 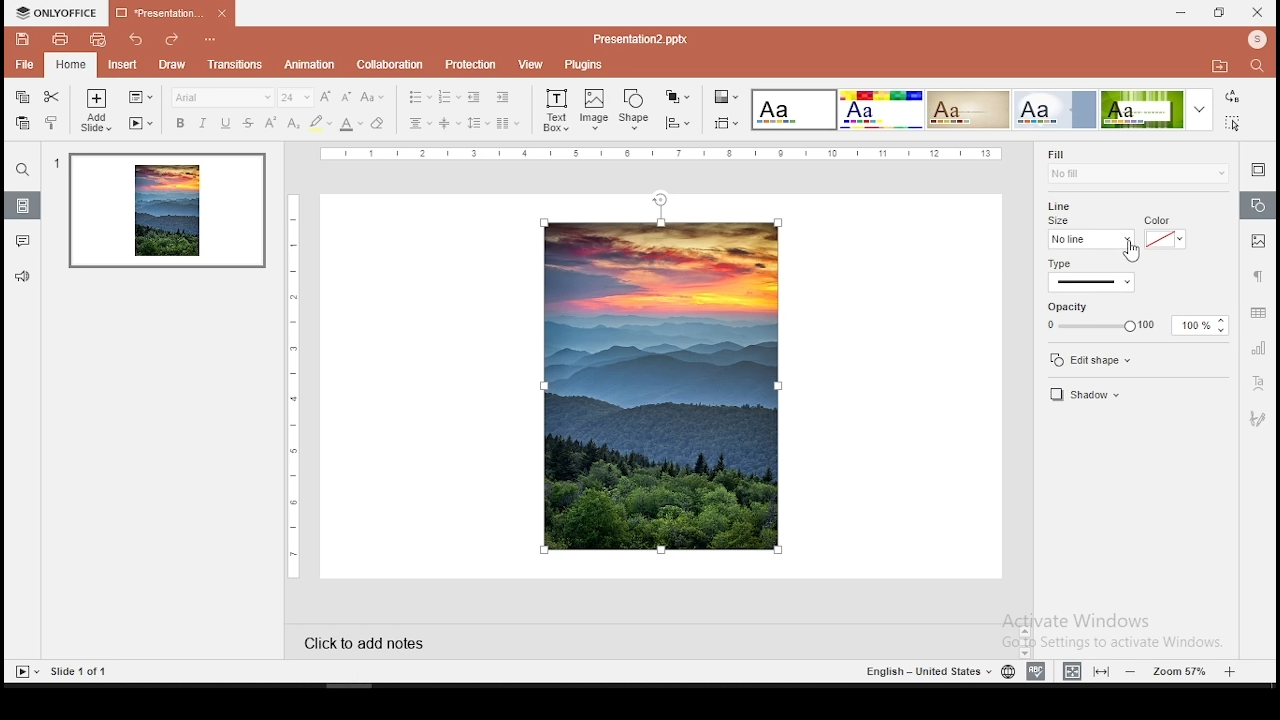 I want to click on presentation, so click(x=172, y=12).